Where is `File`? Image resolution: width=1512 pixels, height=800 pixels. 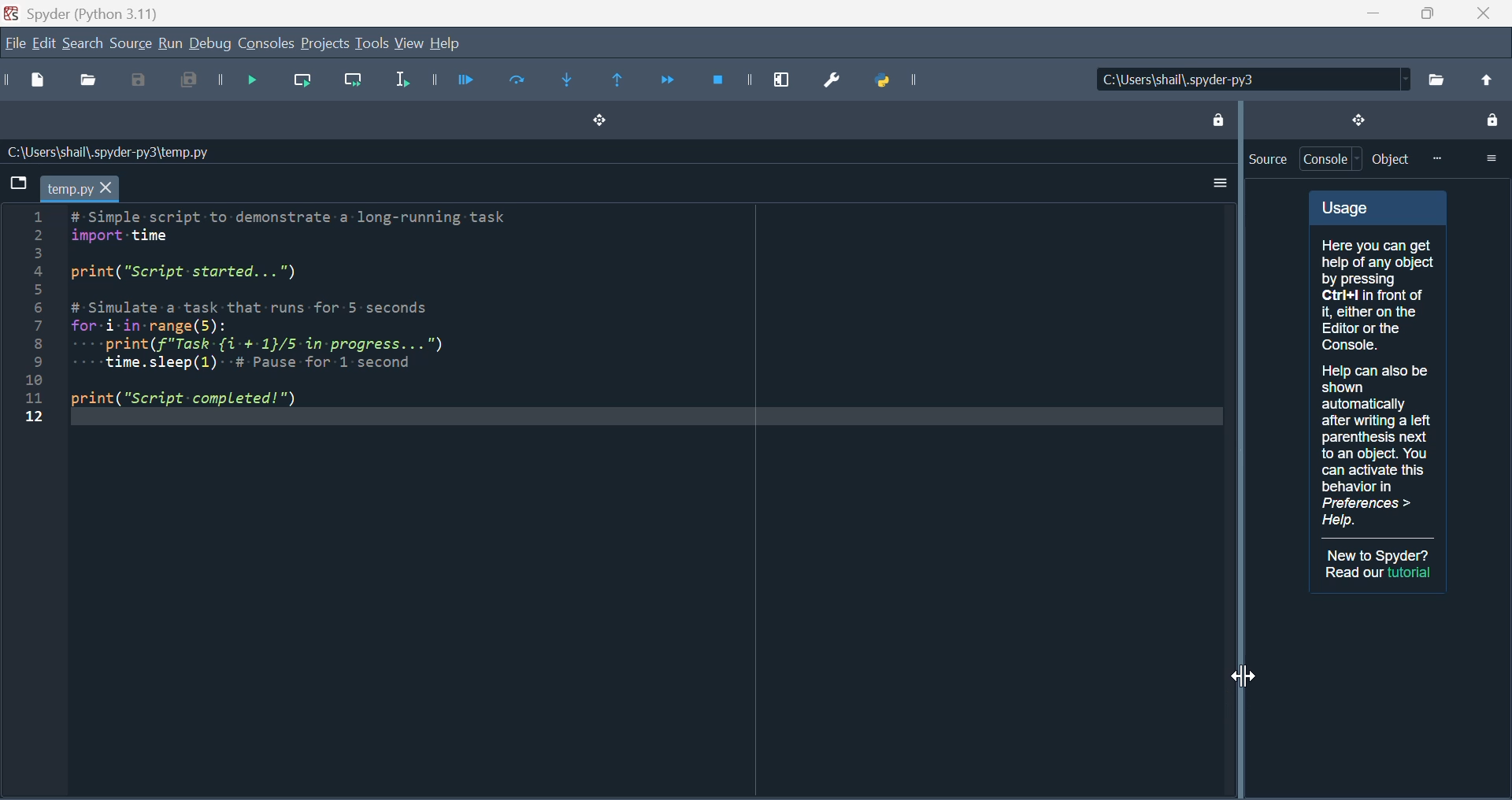 File is located at coordinates (13, 45).